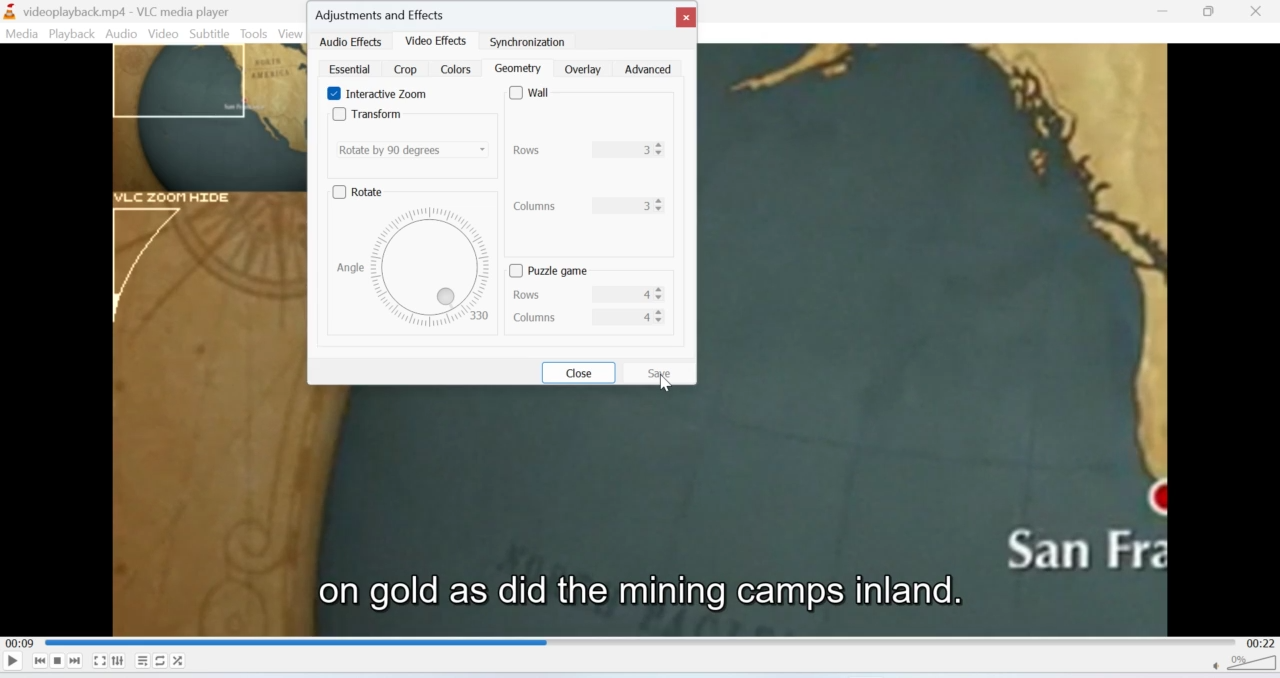  What do you see at coordinates (640, 521) in the screenshot?
I see `Video playback` at bounding box center [640, 521].